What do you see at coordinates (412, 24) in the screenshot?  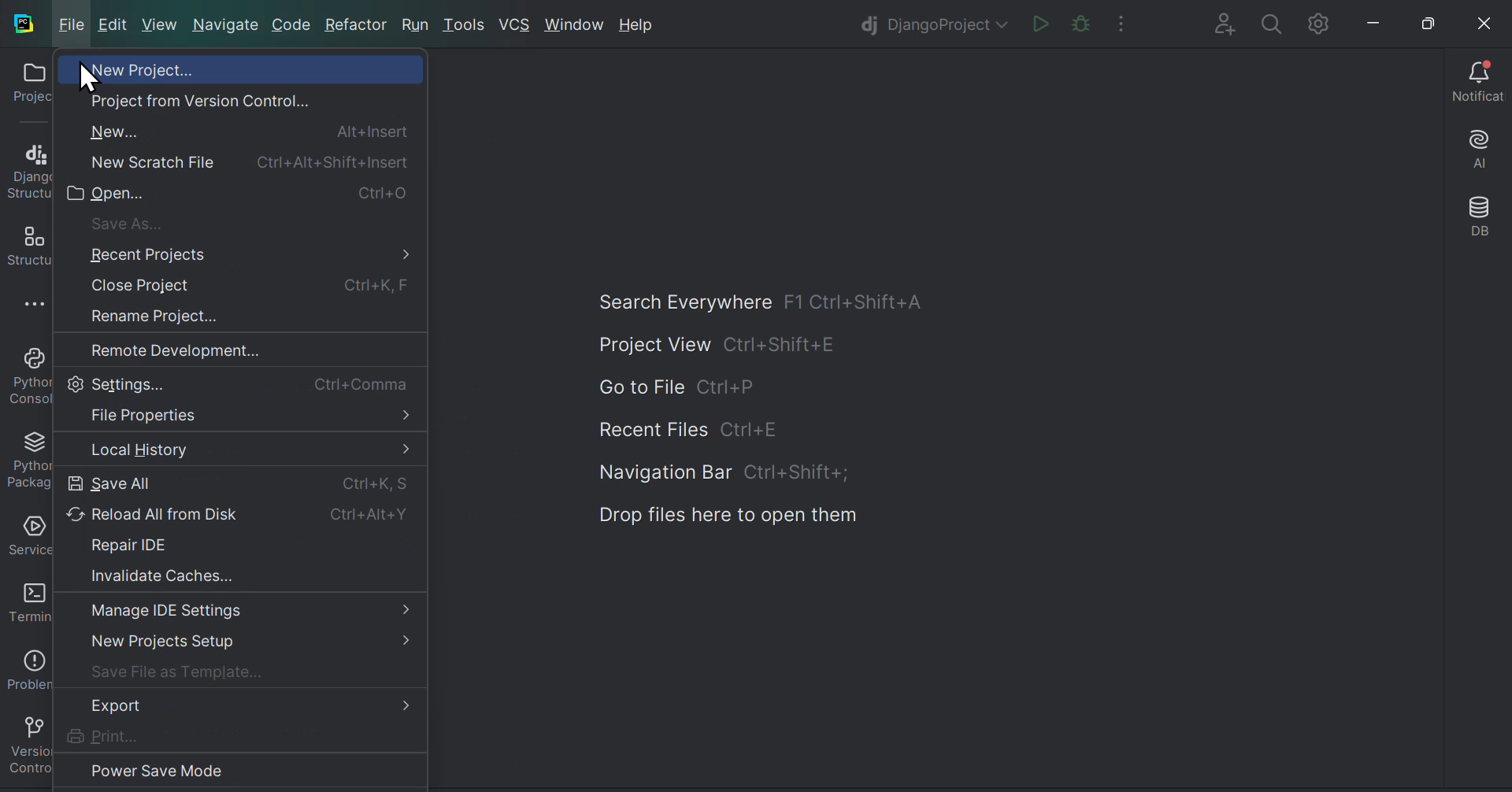 I see `Run` at bounding box center [412, 24].